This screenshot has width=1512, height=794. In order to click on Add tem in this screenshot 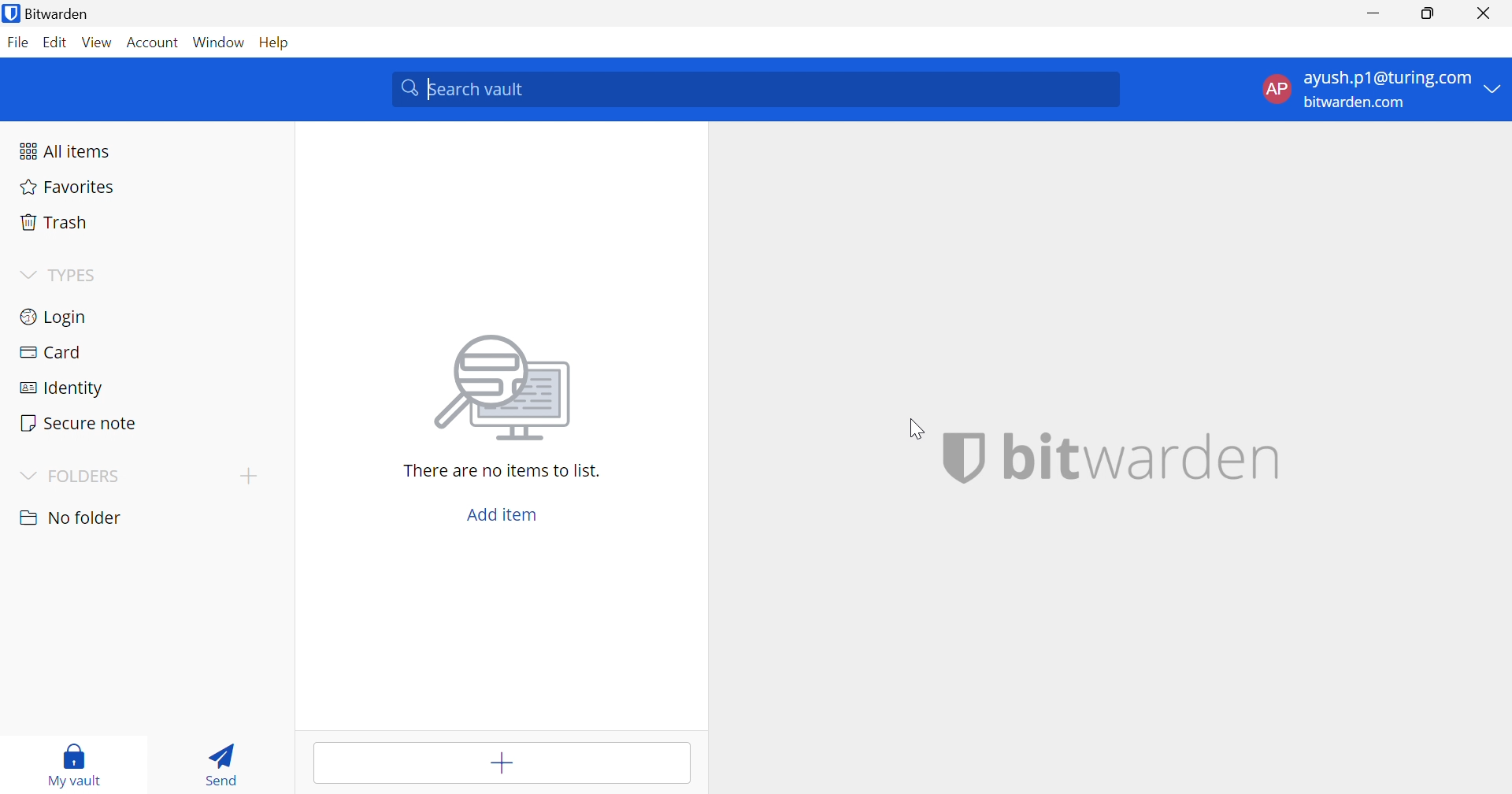, I will do `click(505, 763)`.